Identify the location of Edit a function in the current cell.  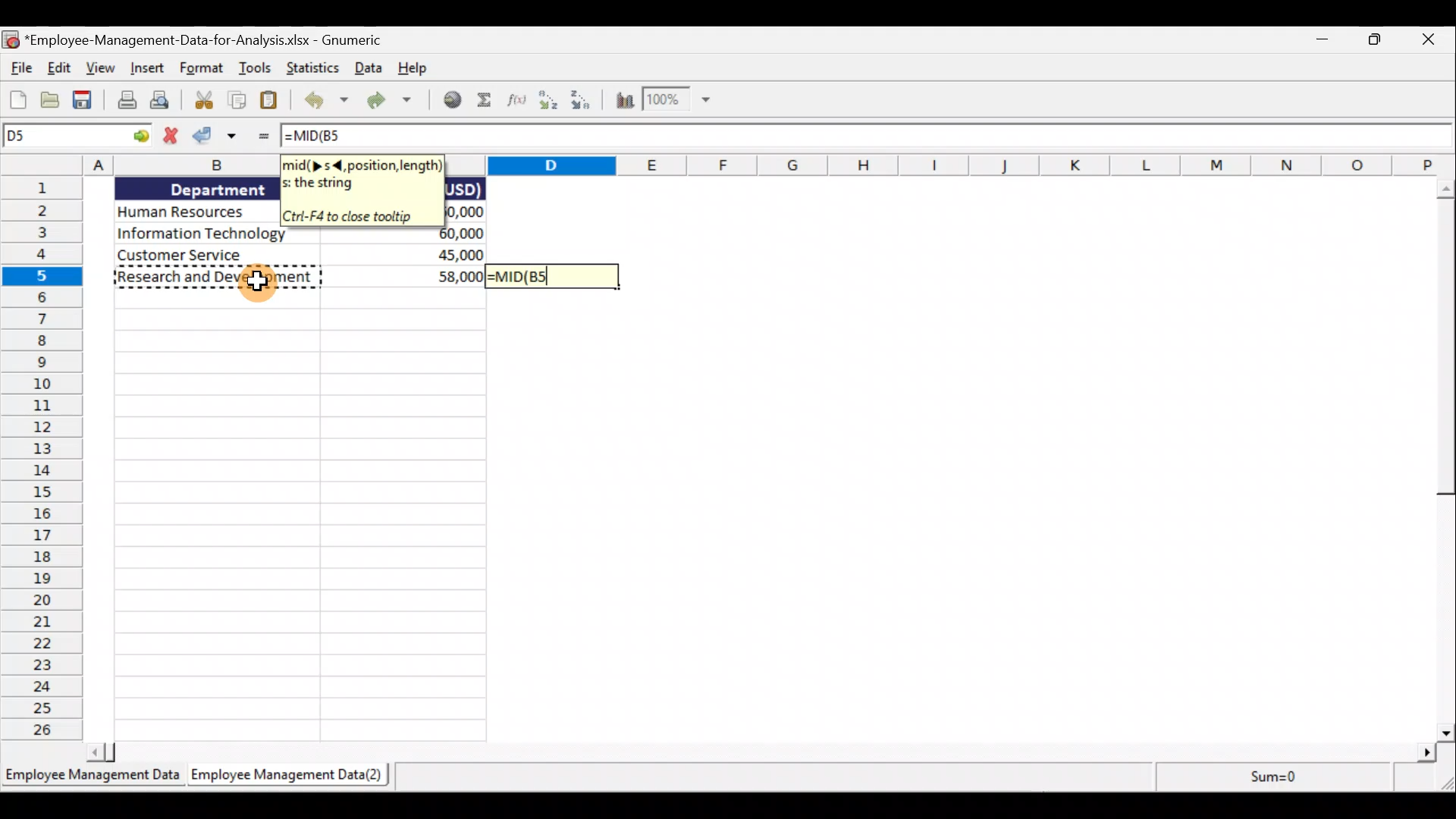
(517, 102).